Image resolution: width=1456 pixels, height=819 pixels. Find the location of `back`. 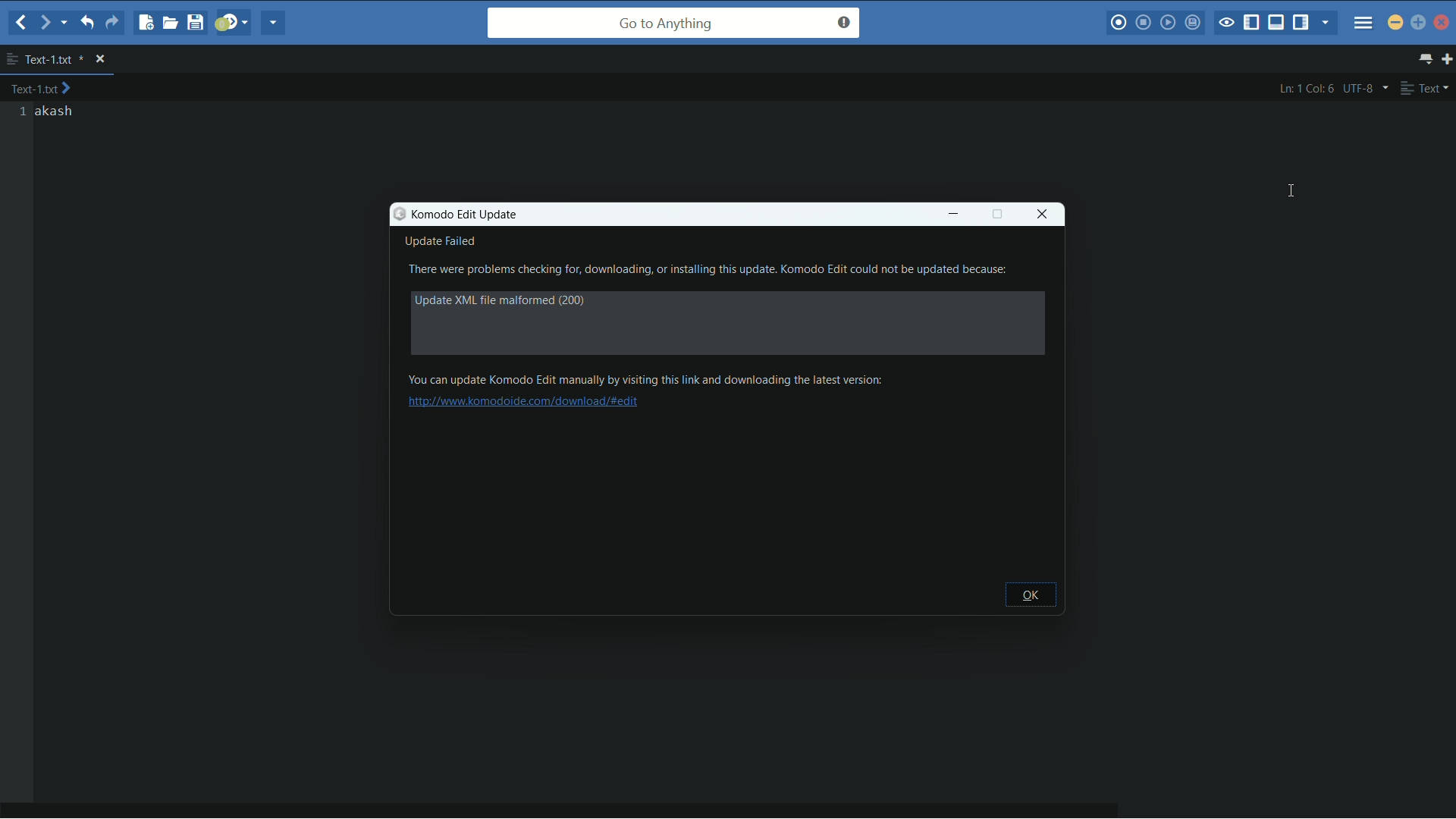

back is located at coordinates (21, 23).